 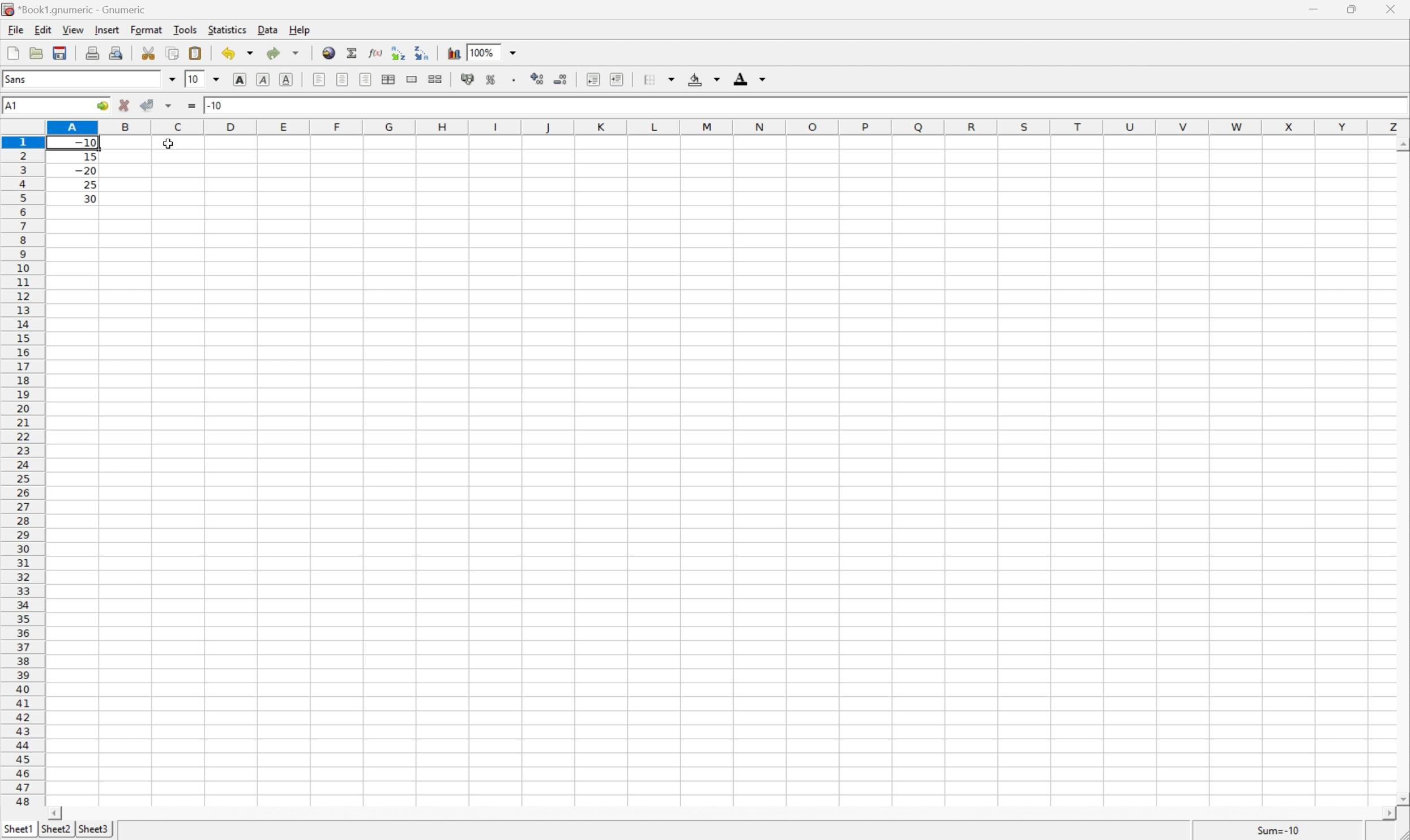 What do you see at coordinates (540, 80) in the screenshot?
I see `Increase the number of decimals displayed` at bounding box center [540, 80].